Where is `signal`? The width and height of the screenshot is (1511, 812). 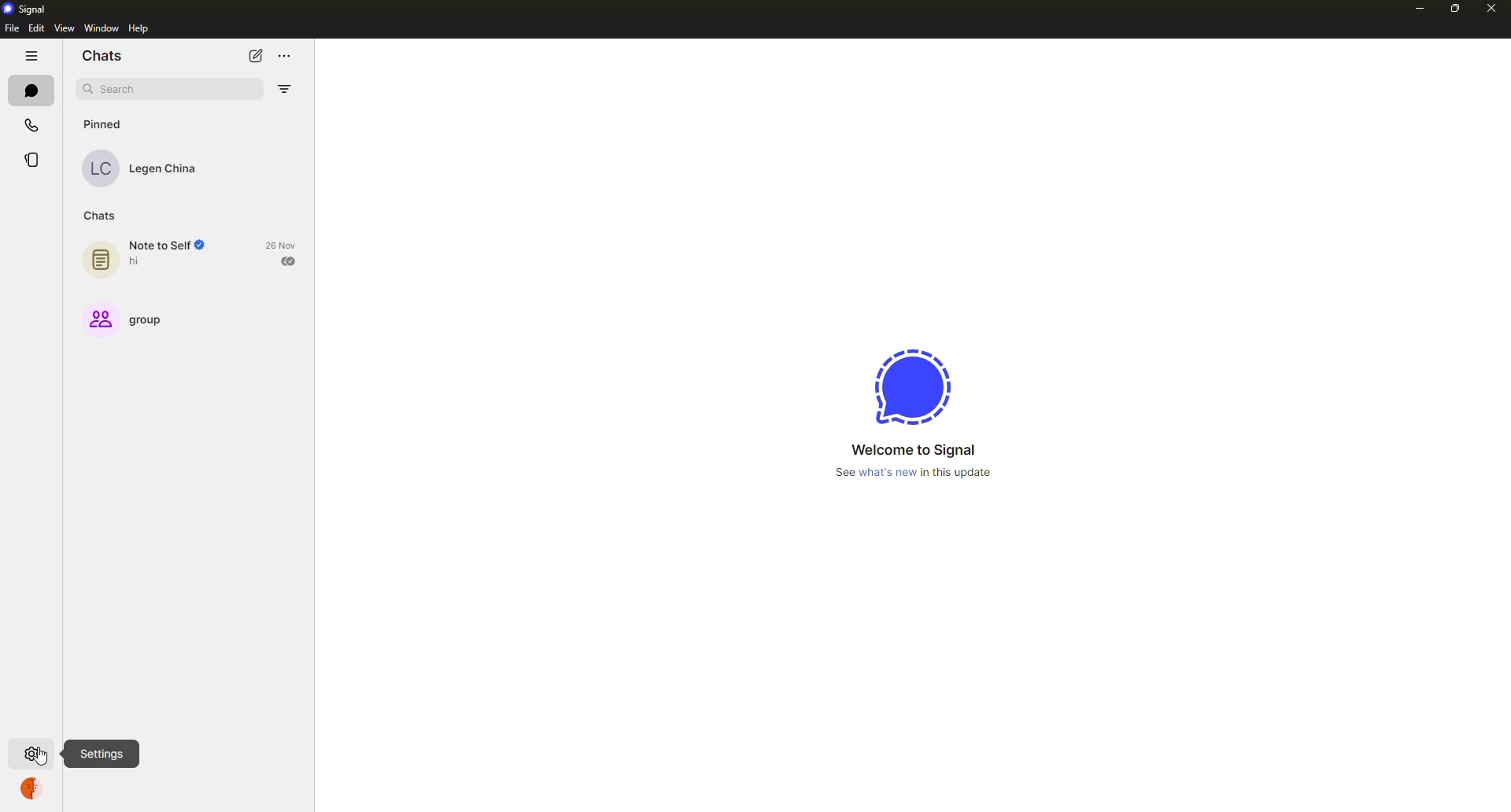 signal is located at coordinates (25, 8).